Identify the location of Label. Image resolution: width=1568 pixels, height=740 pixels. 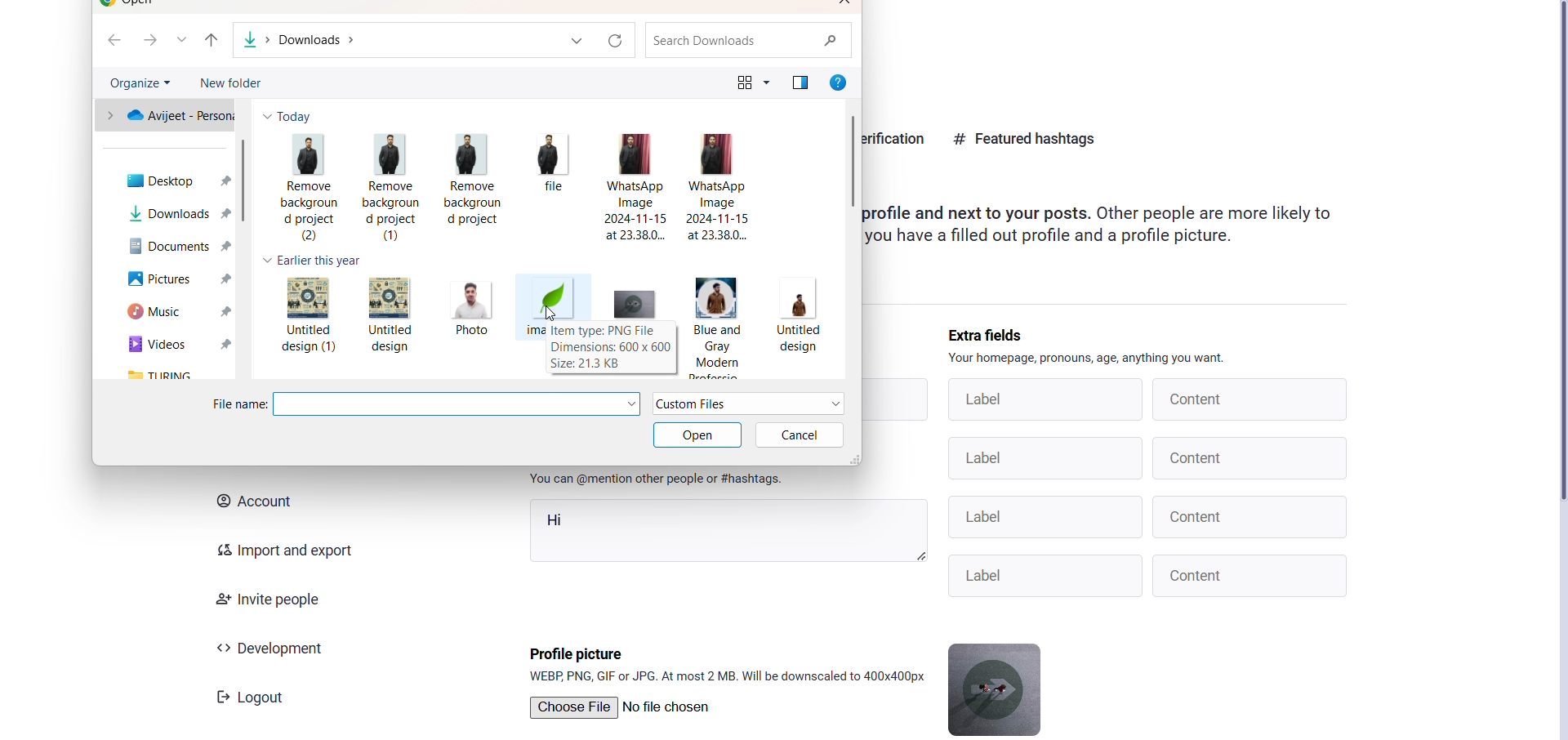
(1043, 458).